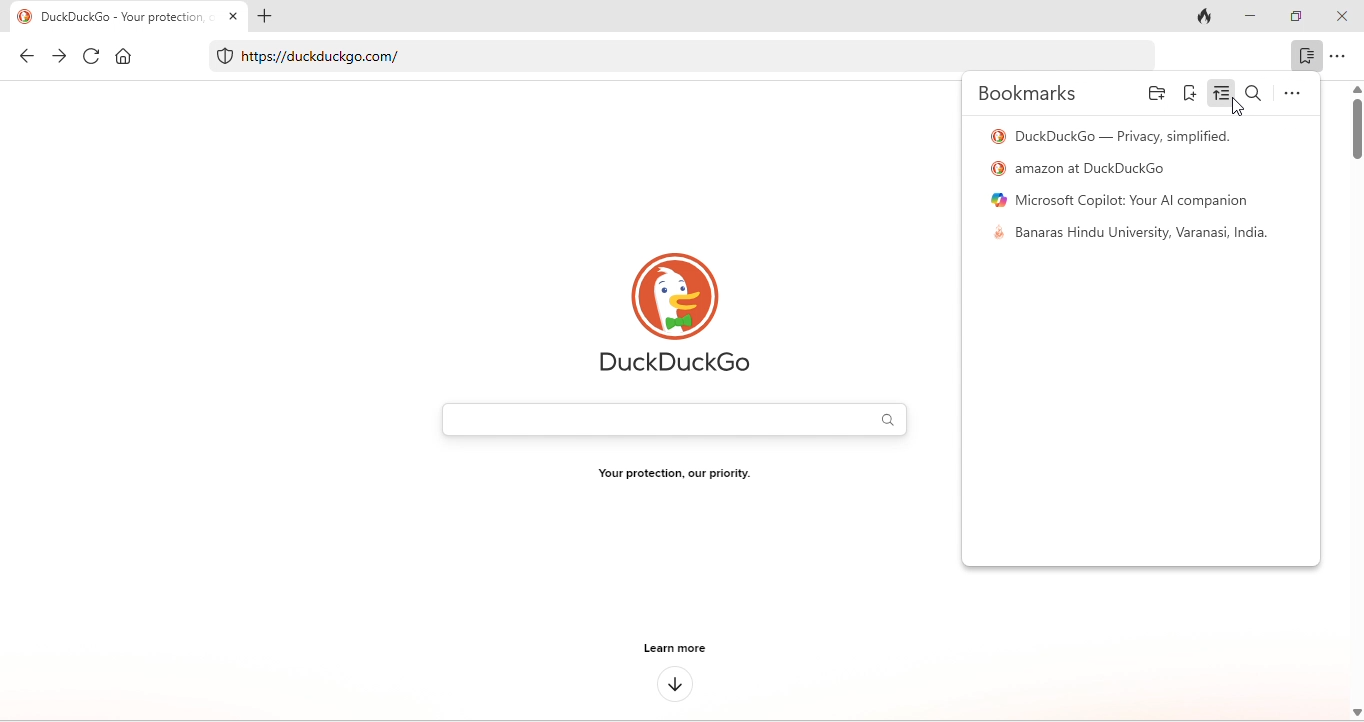 The height and width of the screenshot is (722, 1364). I want to click on duck duck go logo, so click(675, 316).